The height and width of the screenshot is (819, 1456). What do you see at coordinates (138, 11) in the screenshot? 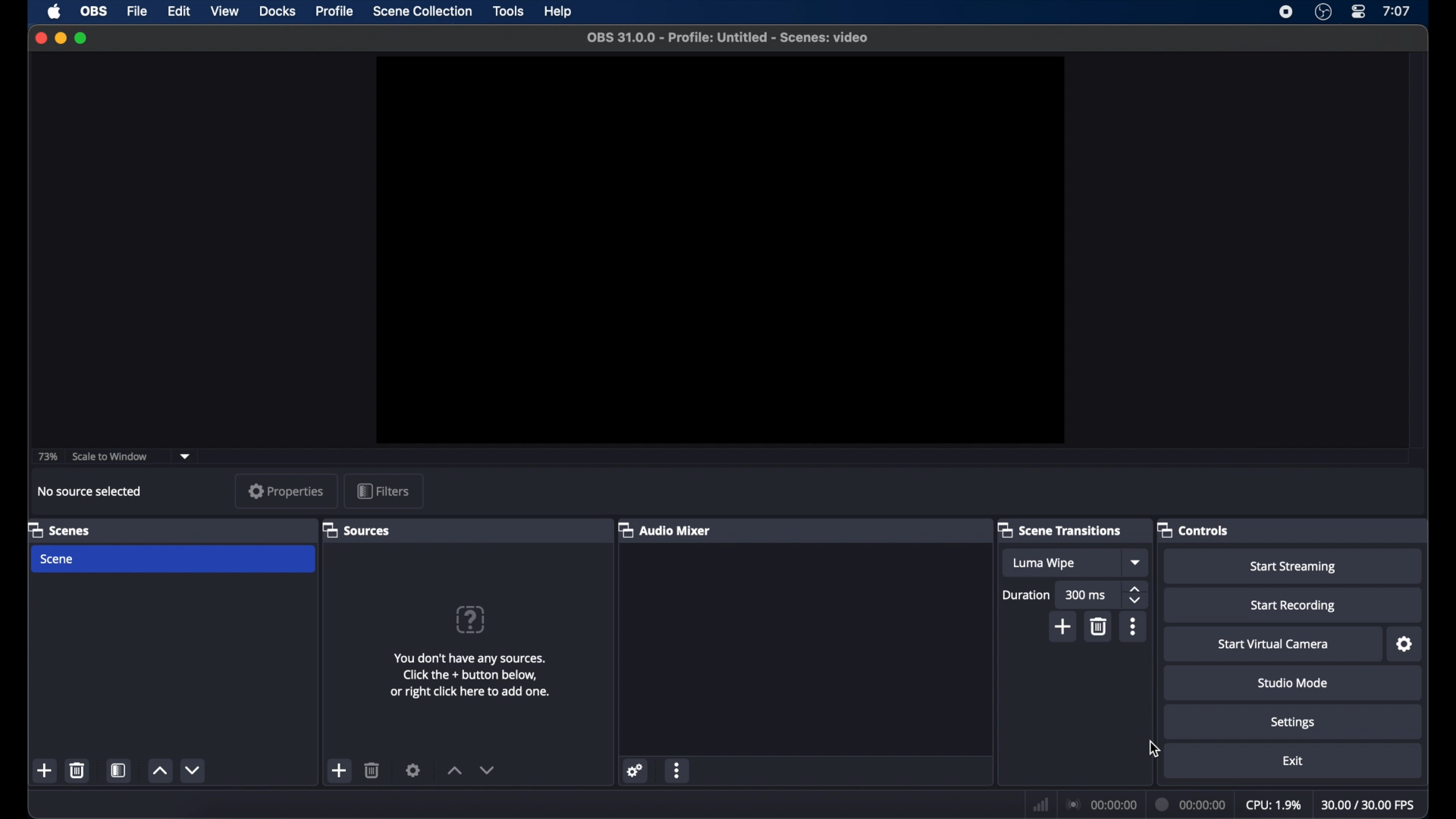
I see `file` at bounding box center [138, 11].